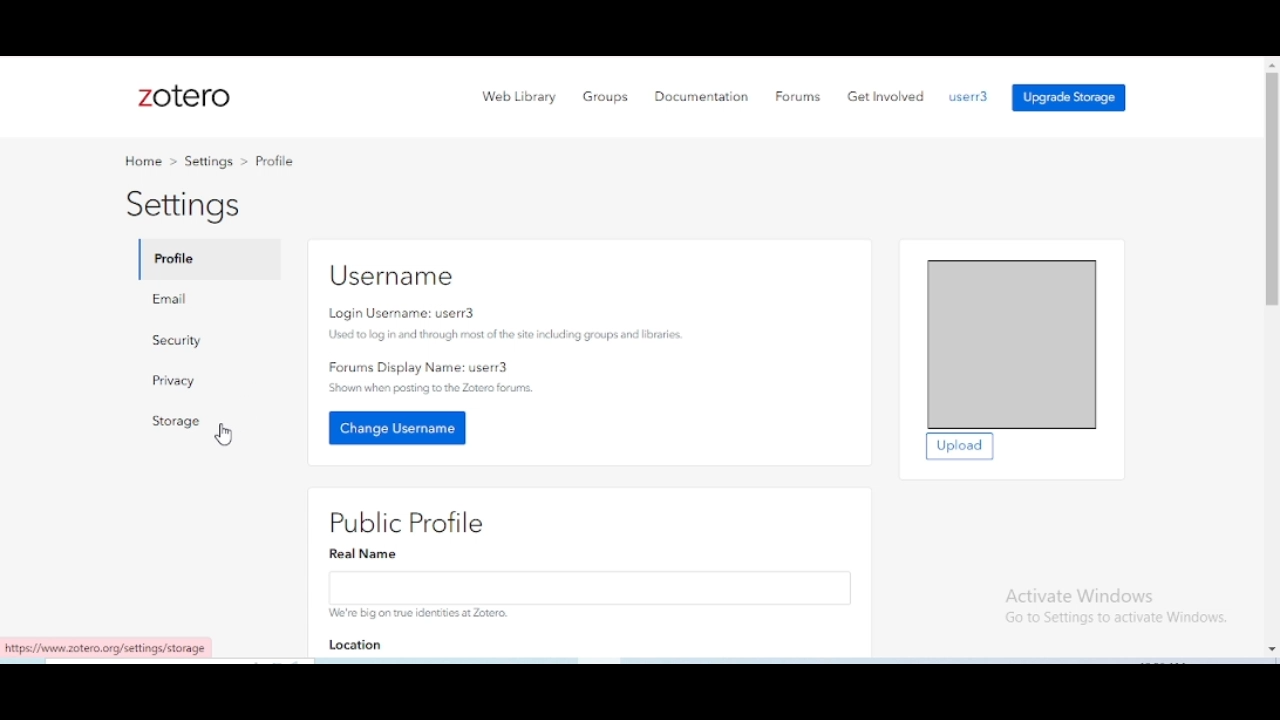 The image size is (1280, 720). What do you see at coordinates (357, 645) in the screenshot?
I see `location` at bounding box center [357, 645].